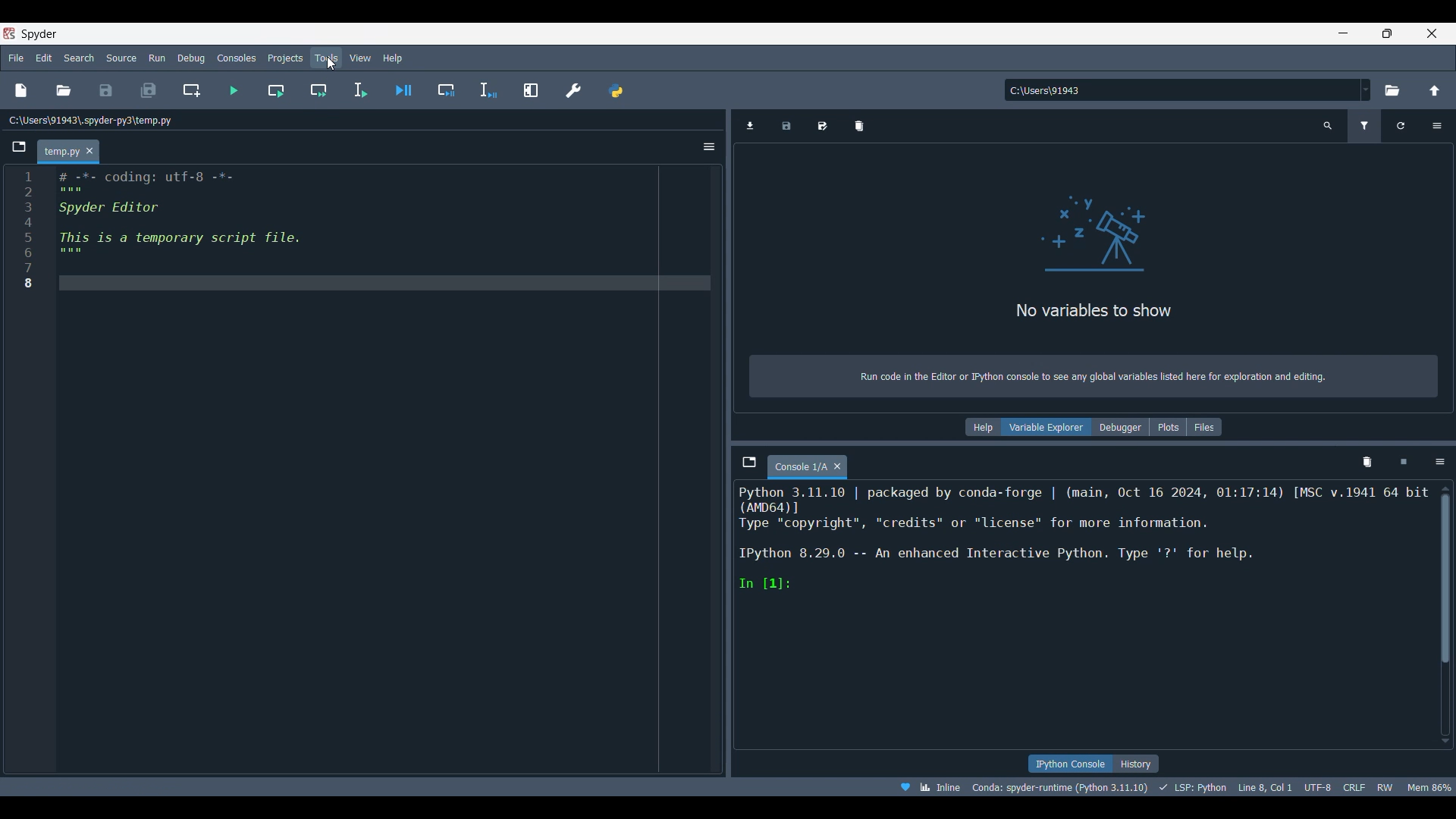  What do you see at coordinates (1435, 90) in the screenshot?
I see `Change to parent directory` at bounding box center [1435, 90].